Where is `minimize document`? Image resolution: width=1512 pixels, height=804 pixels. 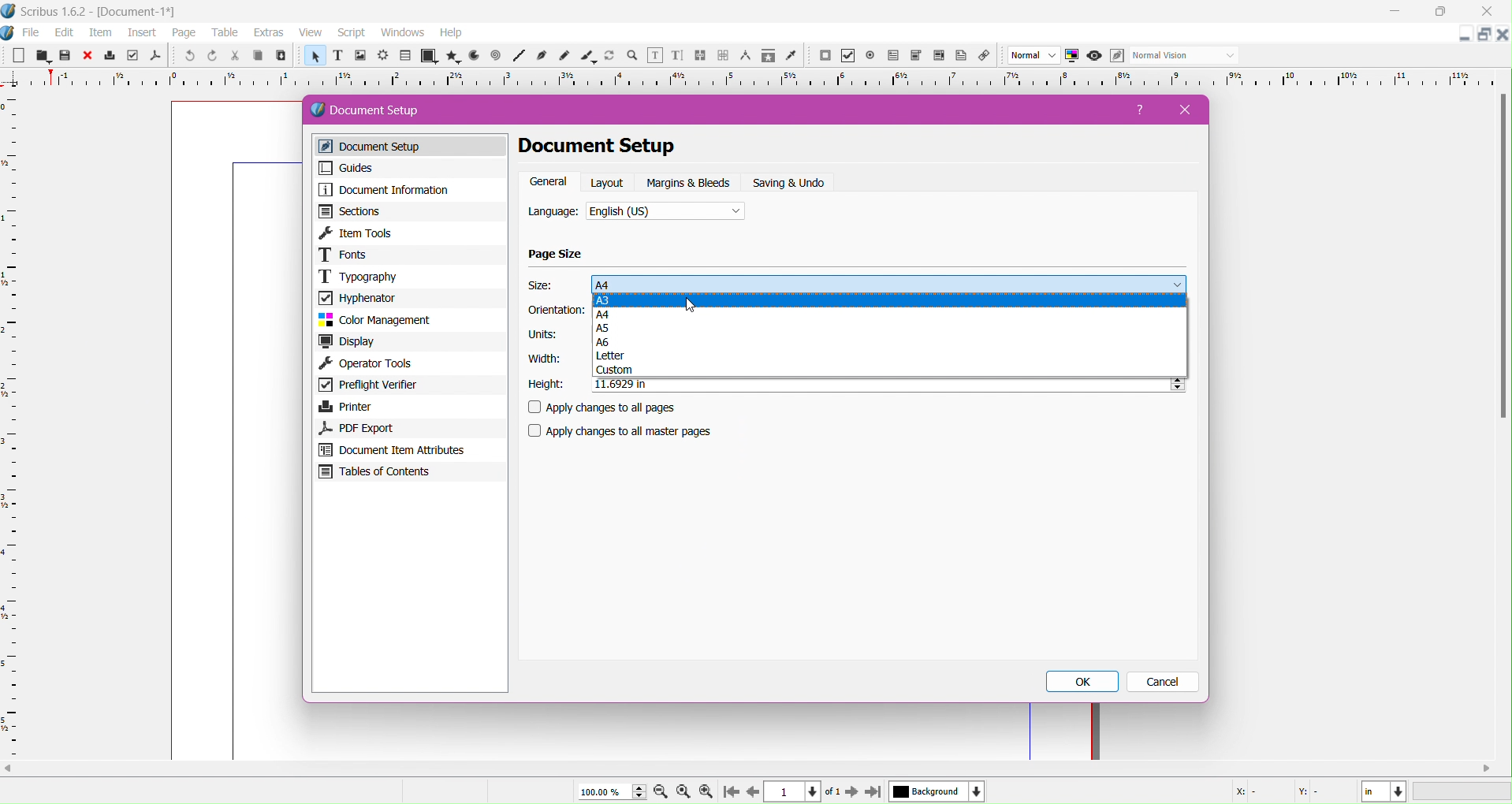
minimize document is located at coordinates (1460, 37).